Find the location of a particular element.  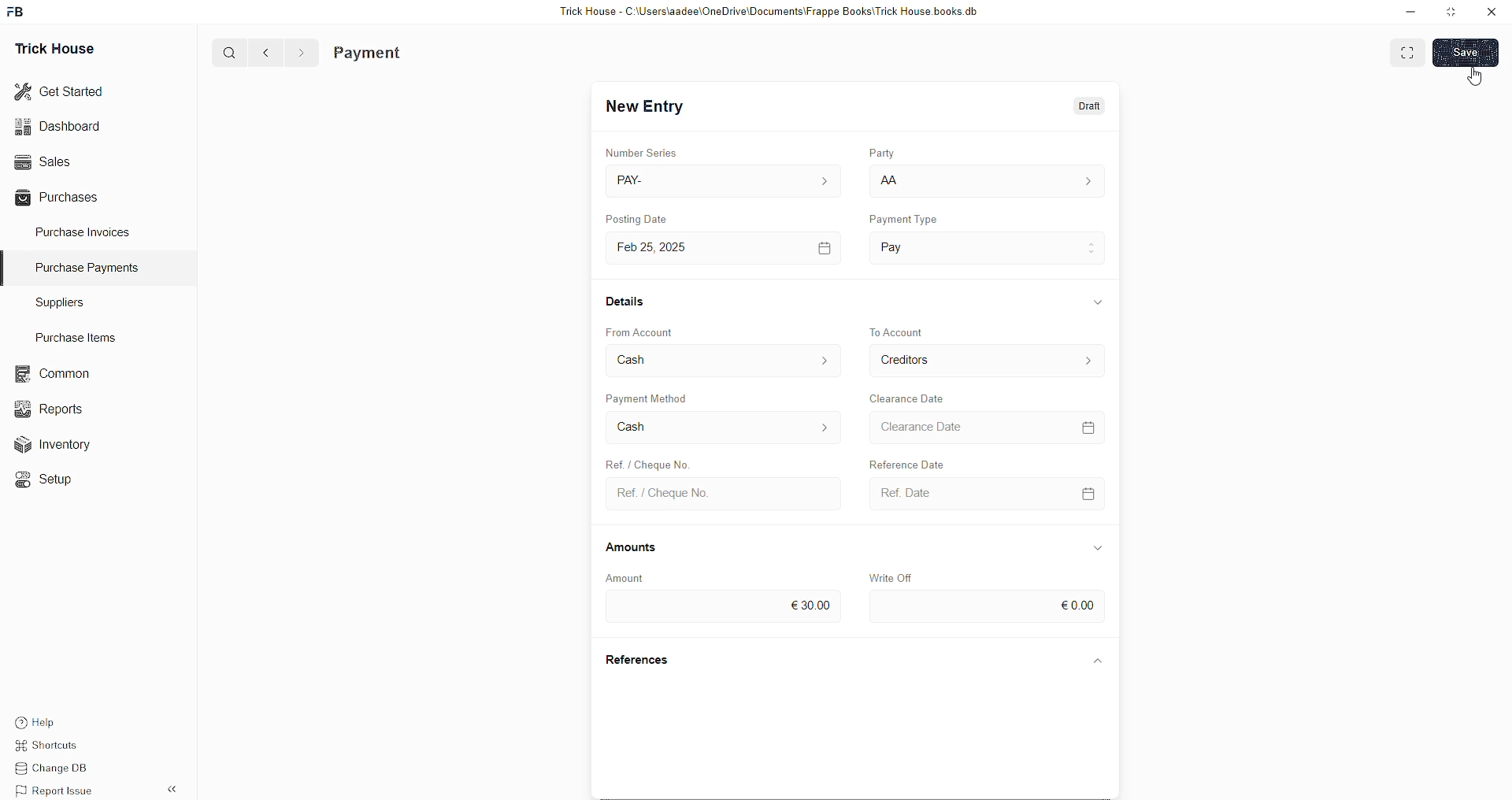

cursor is located at coordinates (1474, 76).